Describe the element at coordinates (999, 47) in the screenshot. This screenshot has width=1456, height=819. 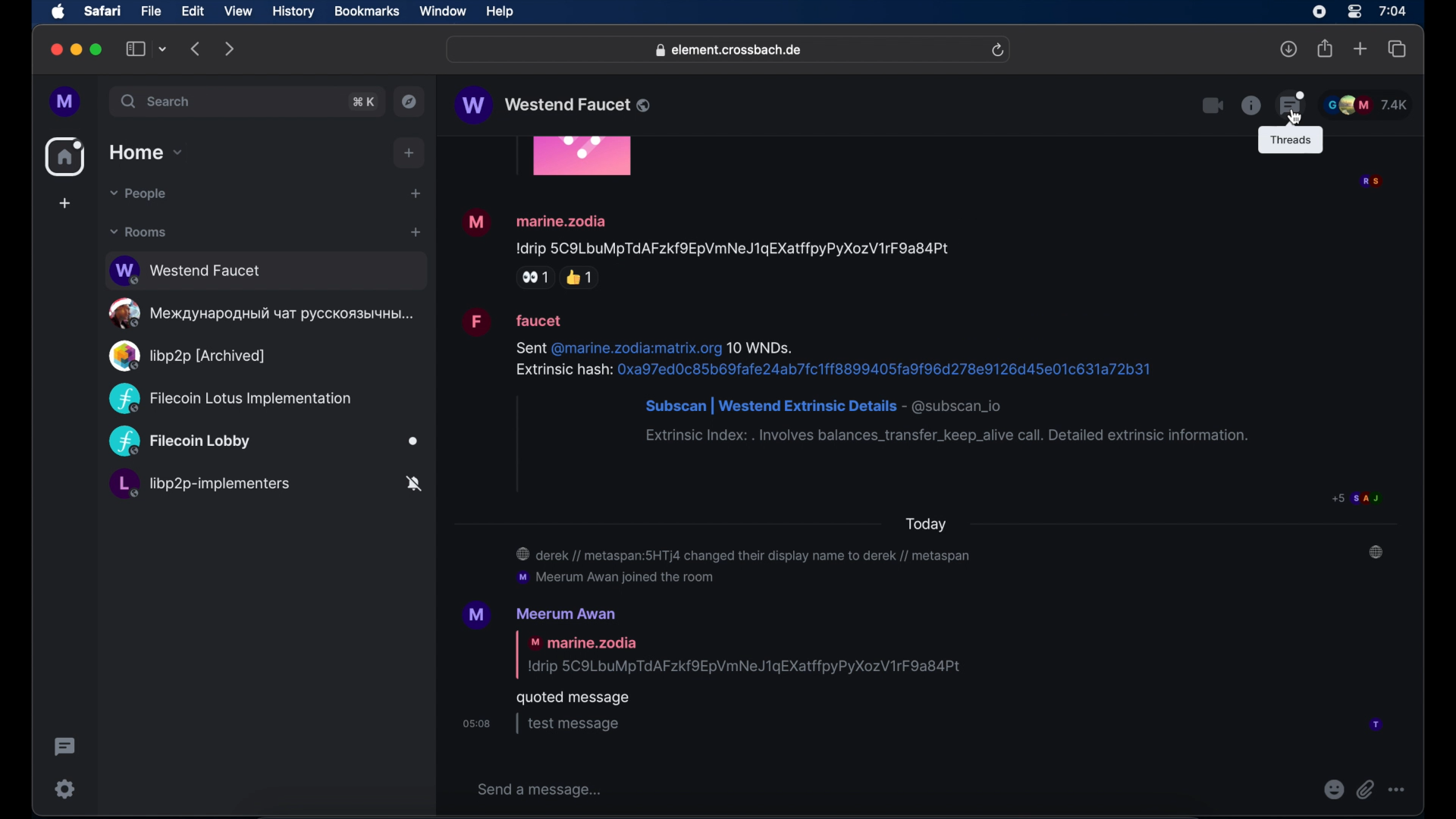
I see `refresh` at that location.